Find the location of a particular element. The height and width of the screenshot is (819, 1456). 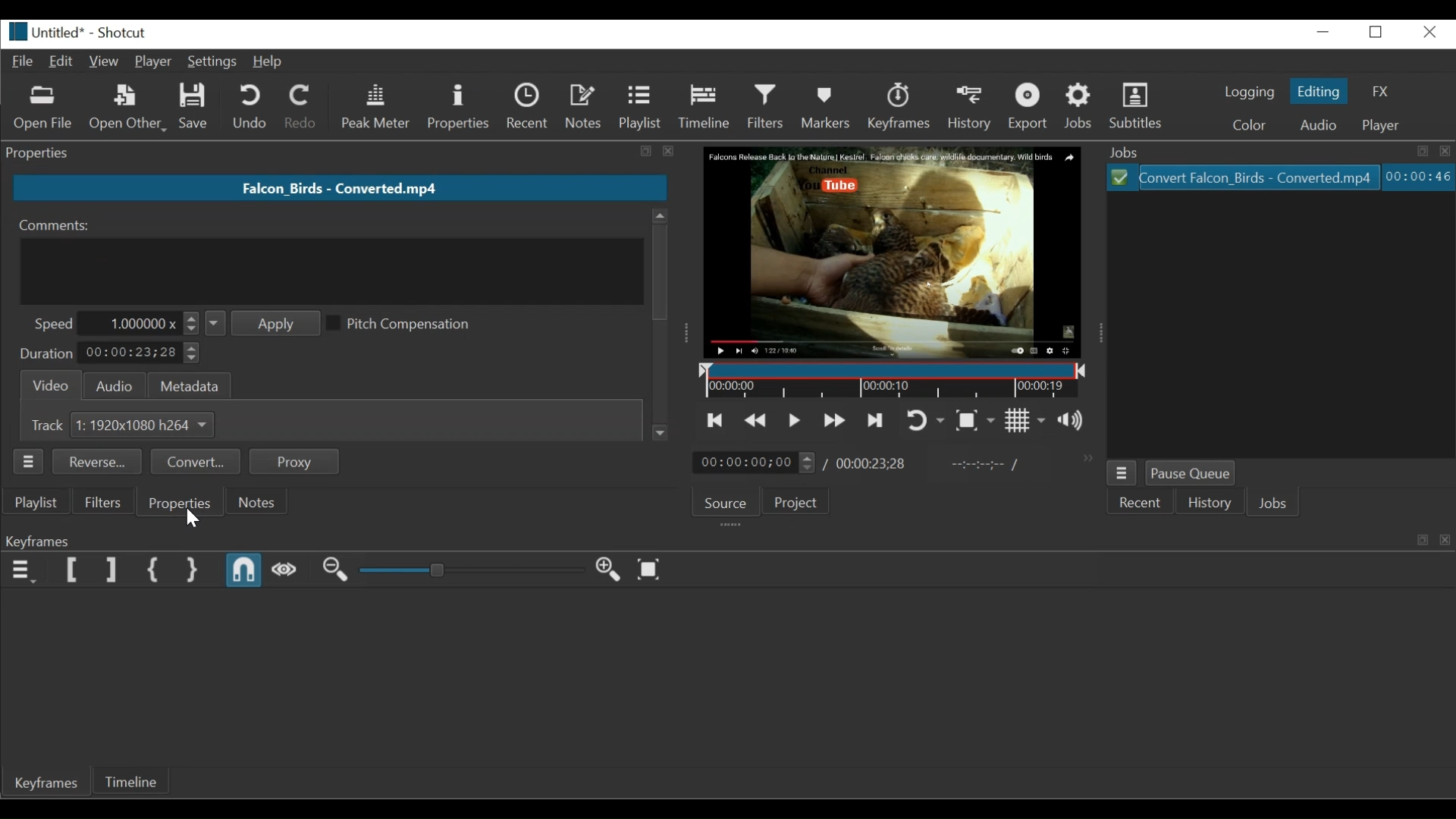

Audio is located at coordinates (115, 384).